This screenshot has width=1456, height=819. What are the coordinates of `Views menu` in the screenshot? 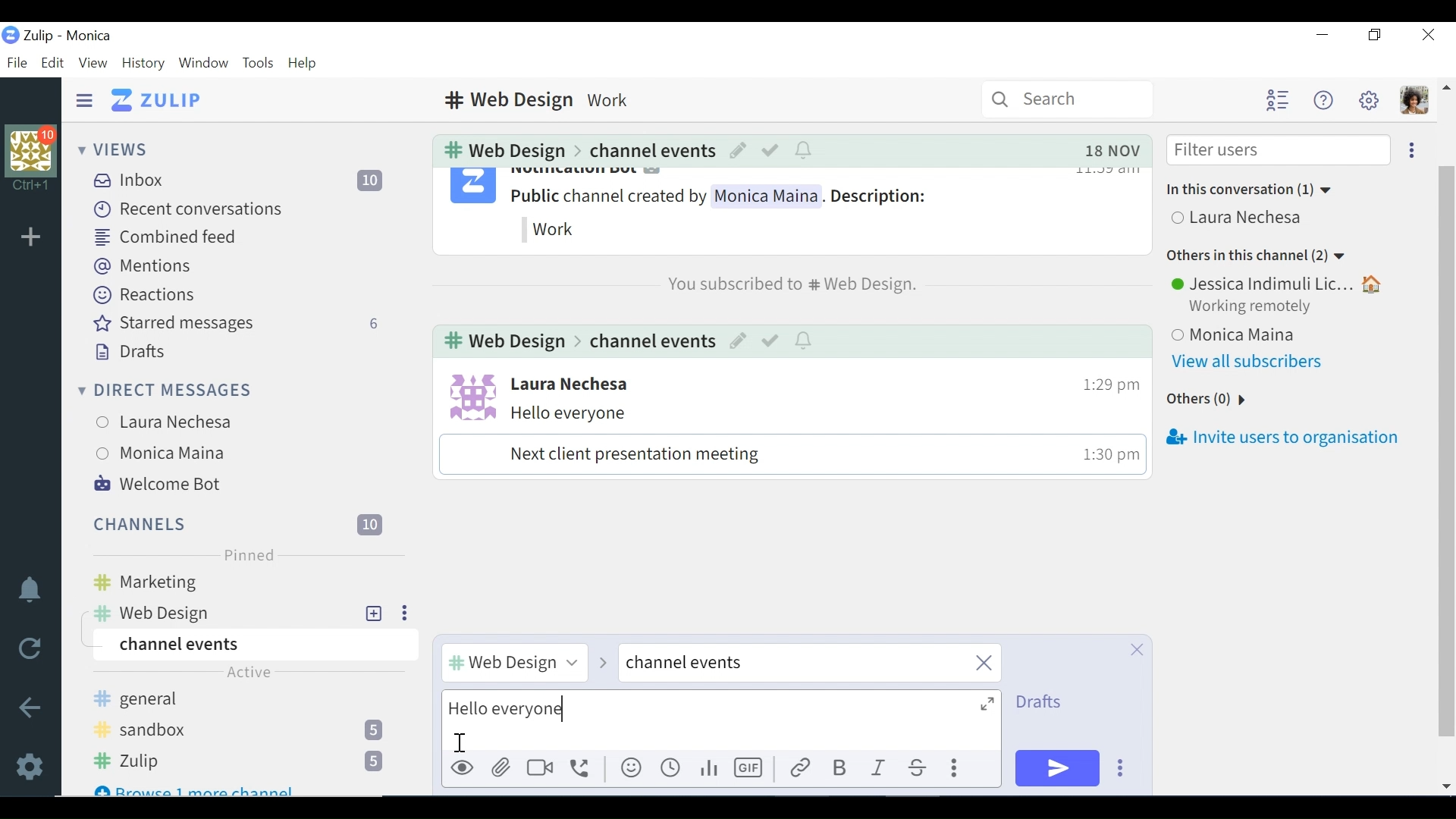 It's located at (116, 149).